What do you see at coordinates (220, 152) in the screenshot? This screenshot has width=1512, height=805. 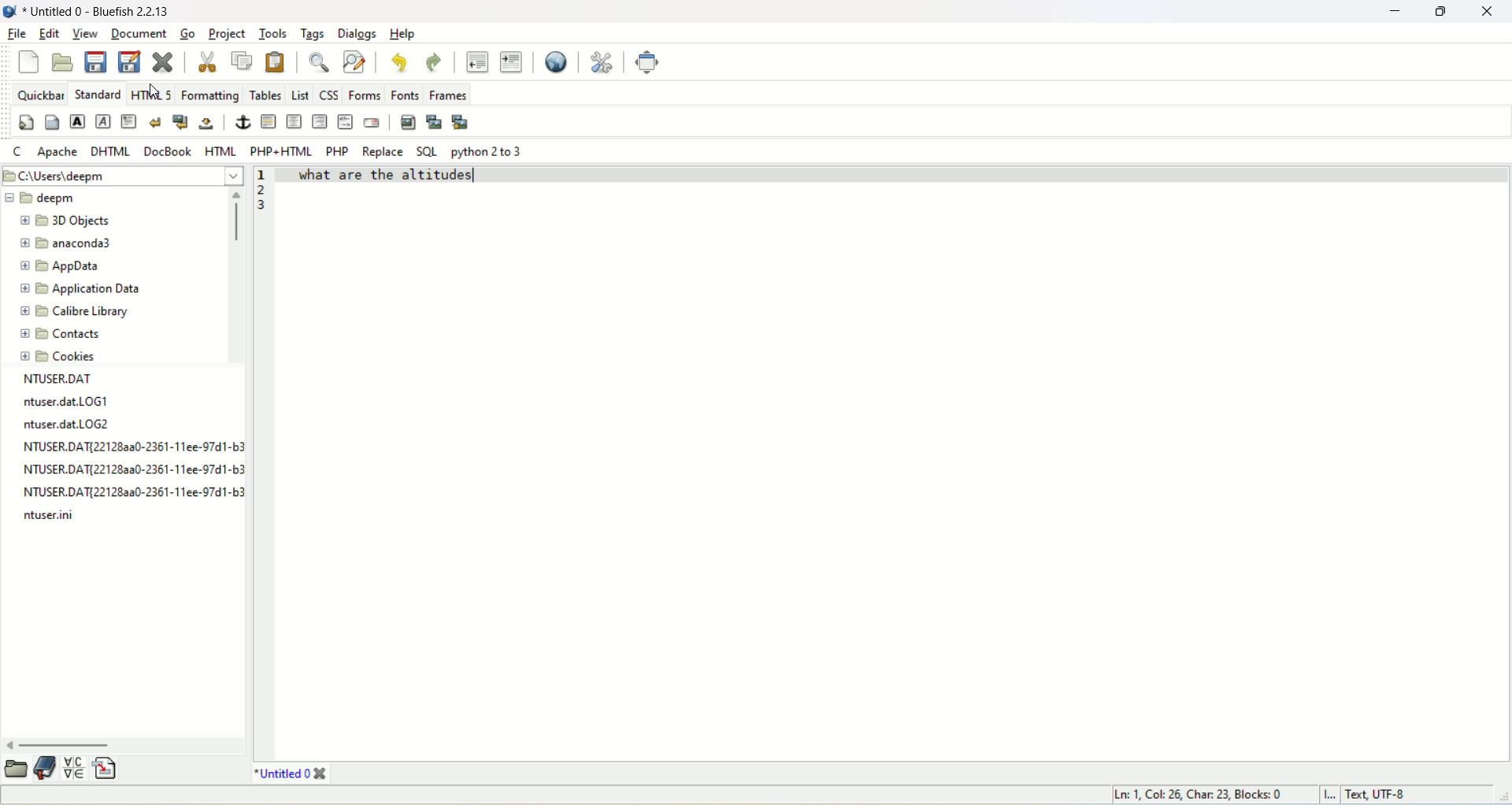 I see `HTML` at bounding box center [220, 152].